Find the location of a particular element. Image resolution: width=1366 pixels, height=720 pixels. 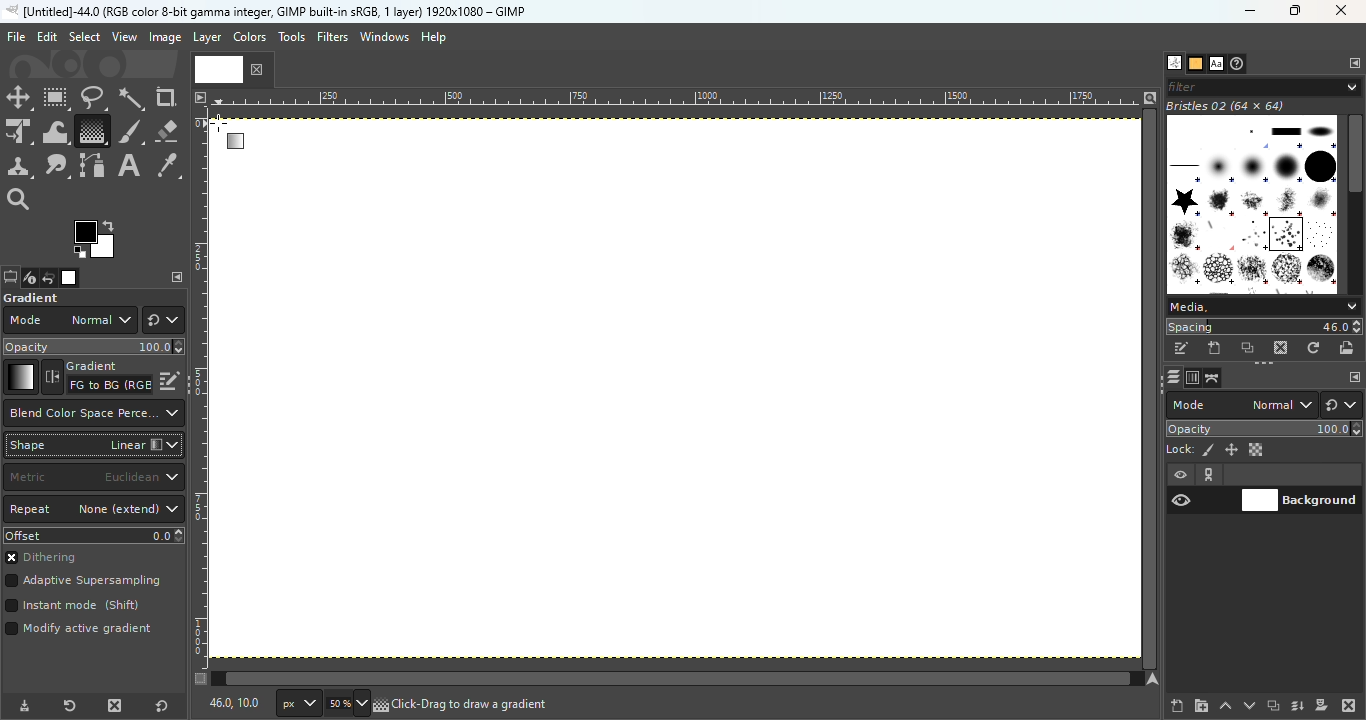

Spacing is located at coordinates (1264, 327).